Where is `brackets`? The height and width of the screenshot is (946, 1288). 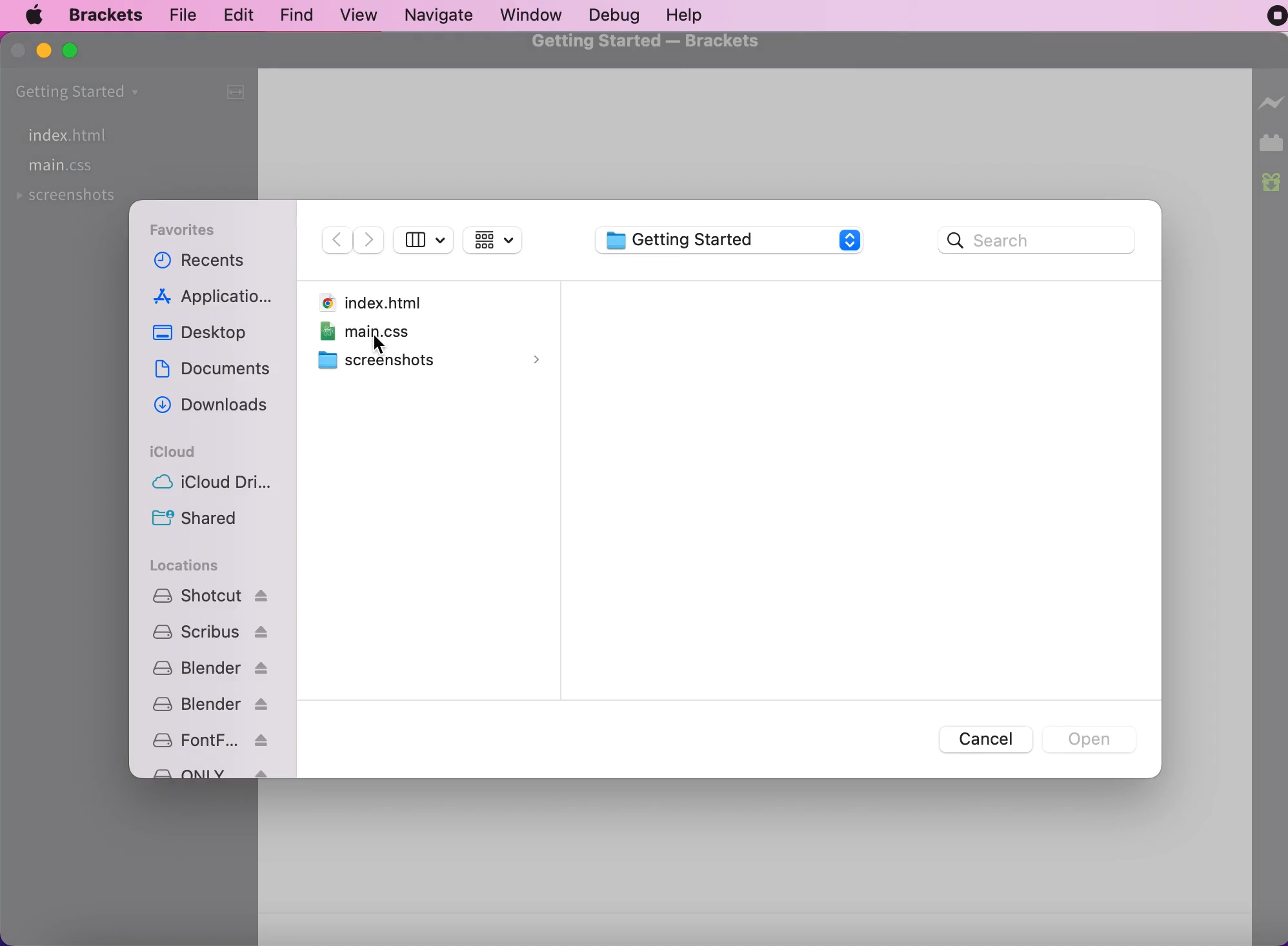
brackets is located at coordinates (108, 14).